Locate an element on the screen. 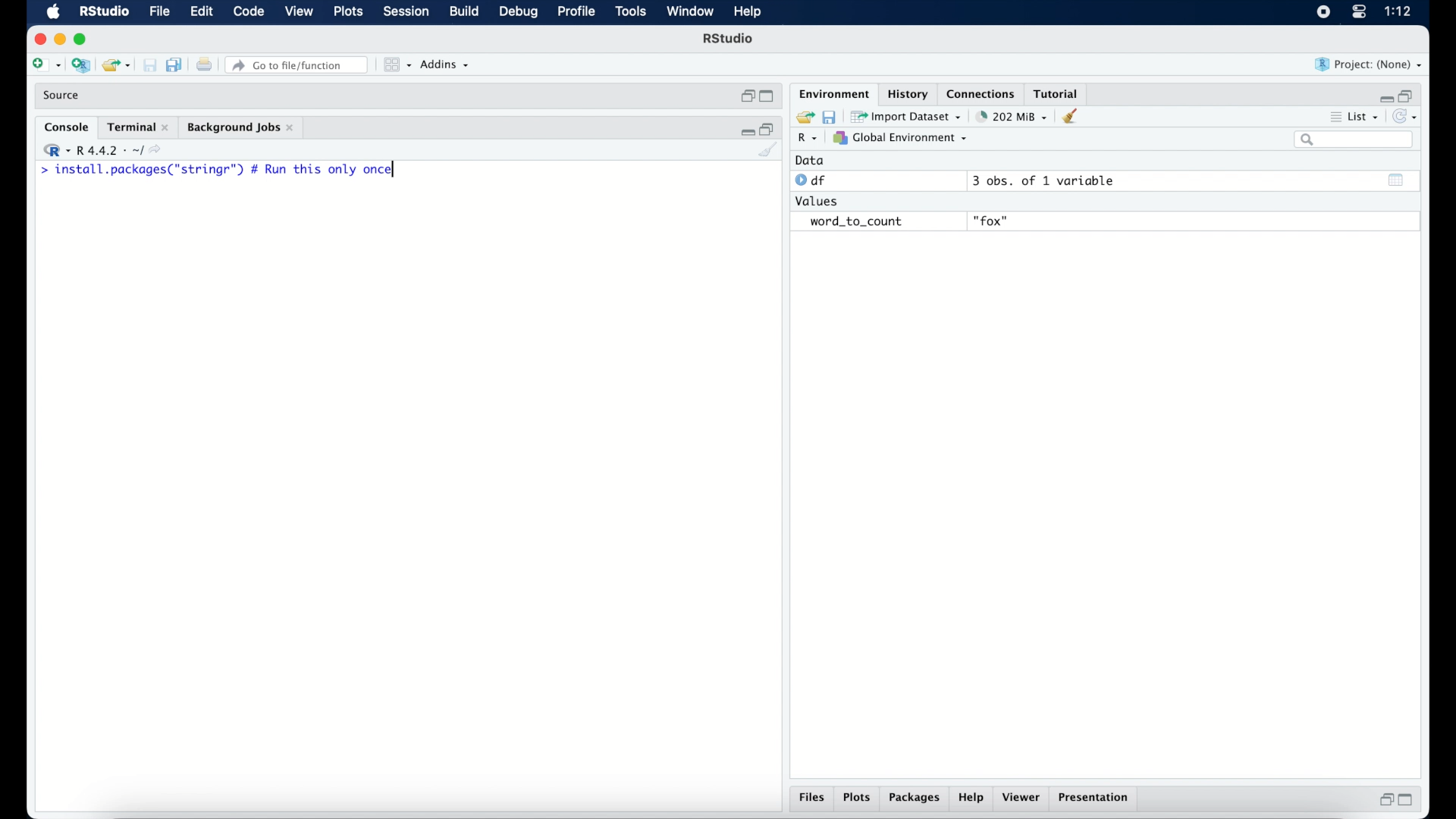 Image resolution: width=1456 pixels, height=819 pixels. viewer is located at coordinates (1022, 798).